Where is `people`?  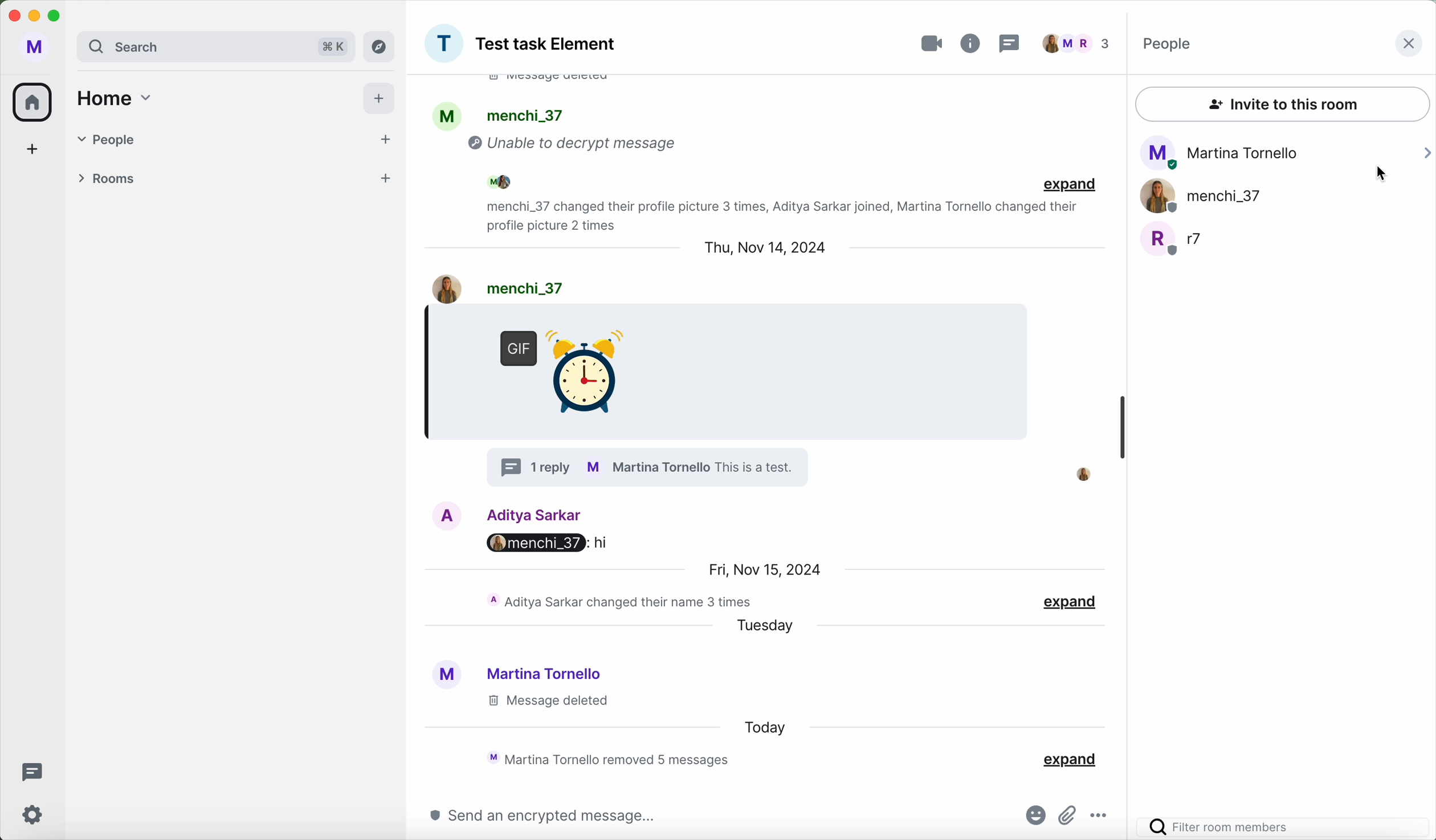
people is located at coordinates (521, 181).